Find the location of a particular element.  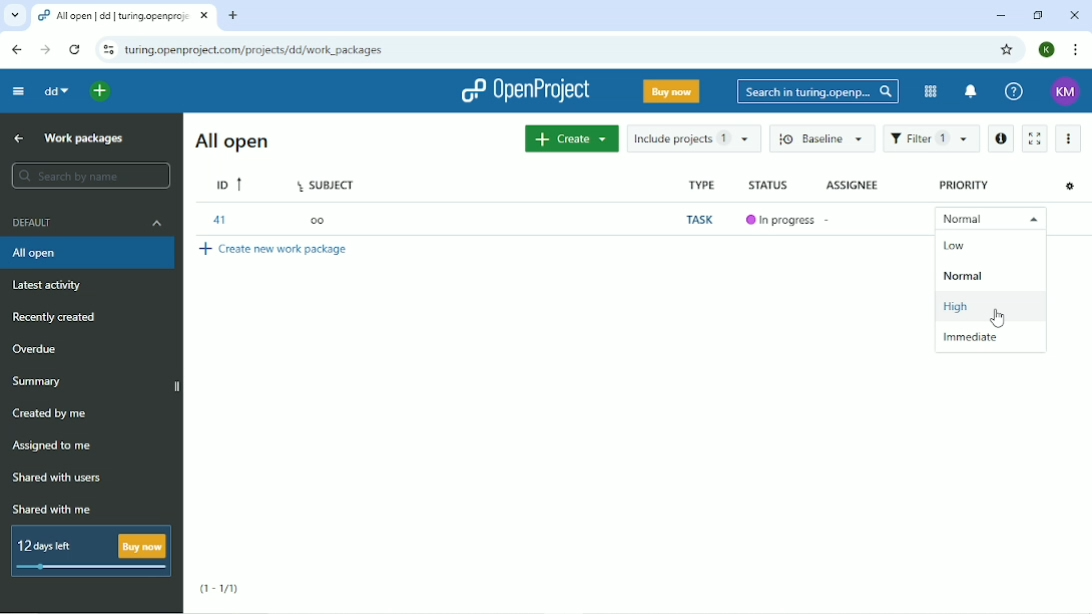

Immediate is located at coordinates (971, 340).